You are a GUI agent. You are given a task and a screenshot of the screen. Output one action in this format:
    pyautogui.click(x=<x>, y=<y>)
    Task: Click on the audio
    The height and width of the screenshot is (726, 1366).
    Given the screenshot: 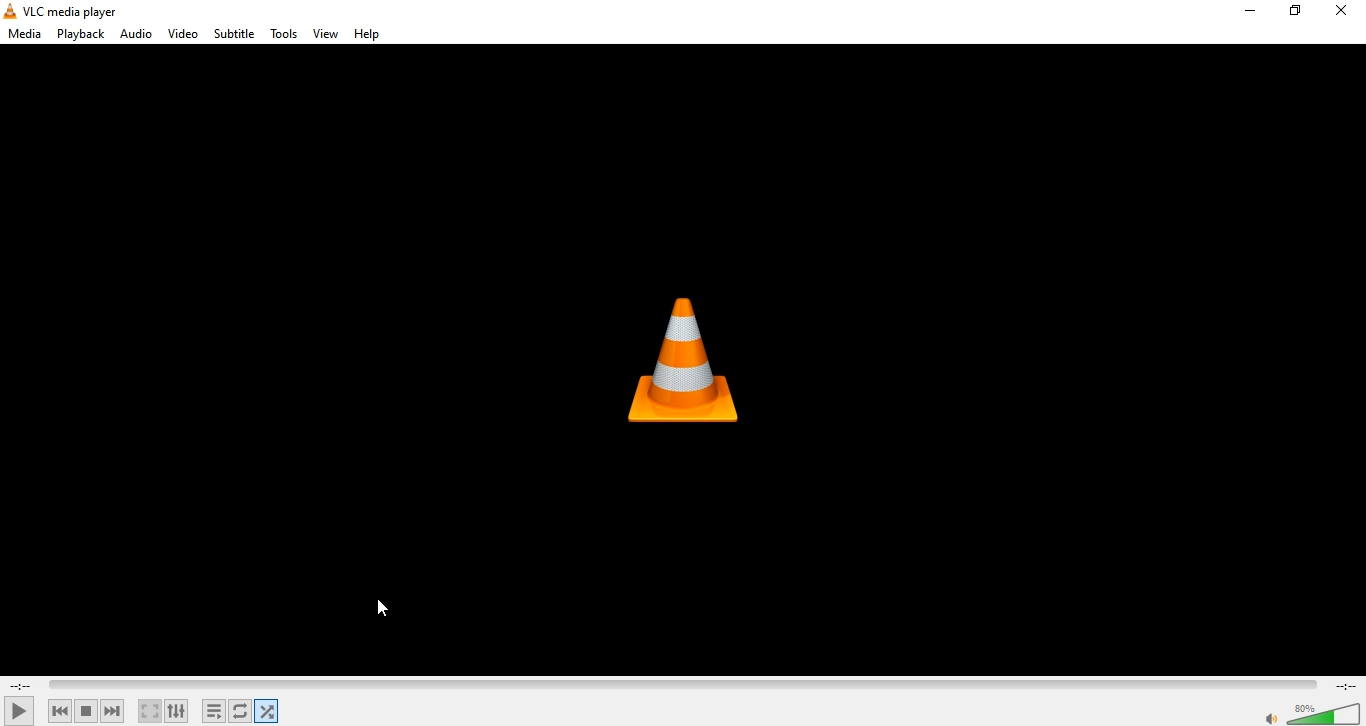 What is the action you would take?
    pyautogui.click(x=136, y=34)
    